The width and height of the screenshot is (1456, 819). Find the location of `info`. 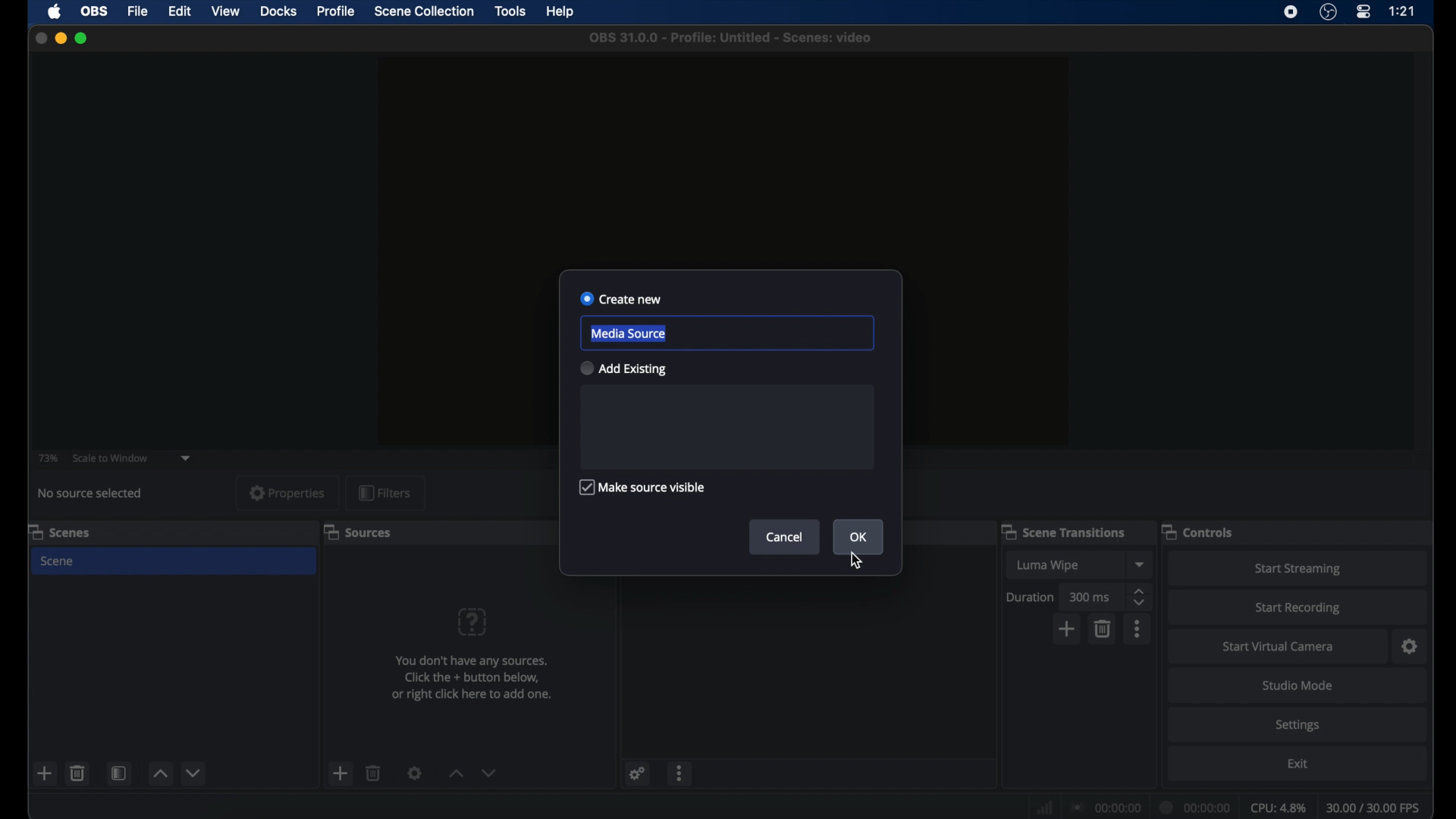

info is located at coordinates (473, 679).